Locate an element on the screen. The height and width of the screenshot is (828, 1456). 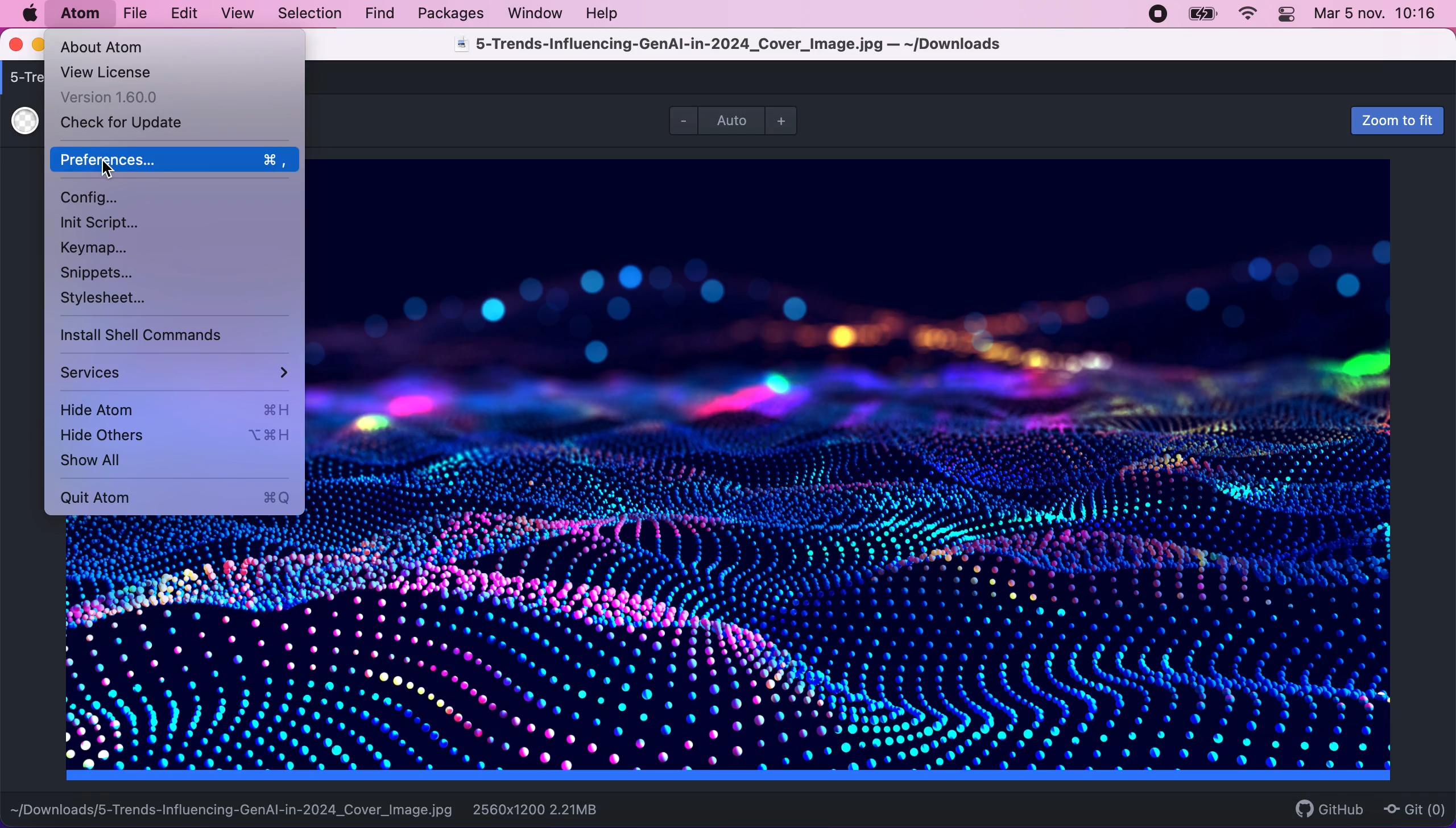
hide others is located at coordinates (174, 437).